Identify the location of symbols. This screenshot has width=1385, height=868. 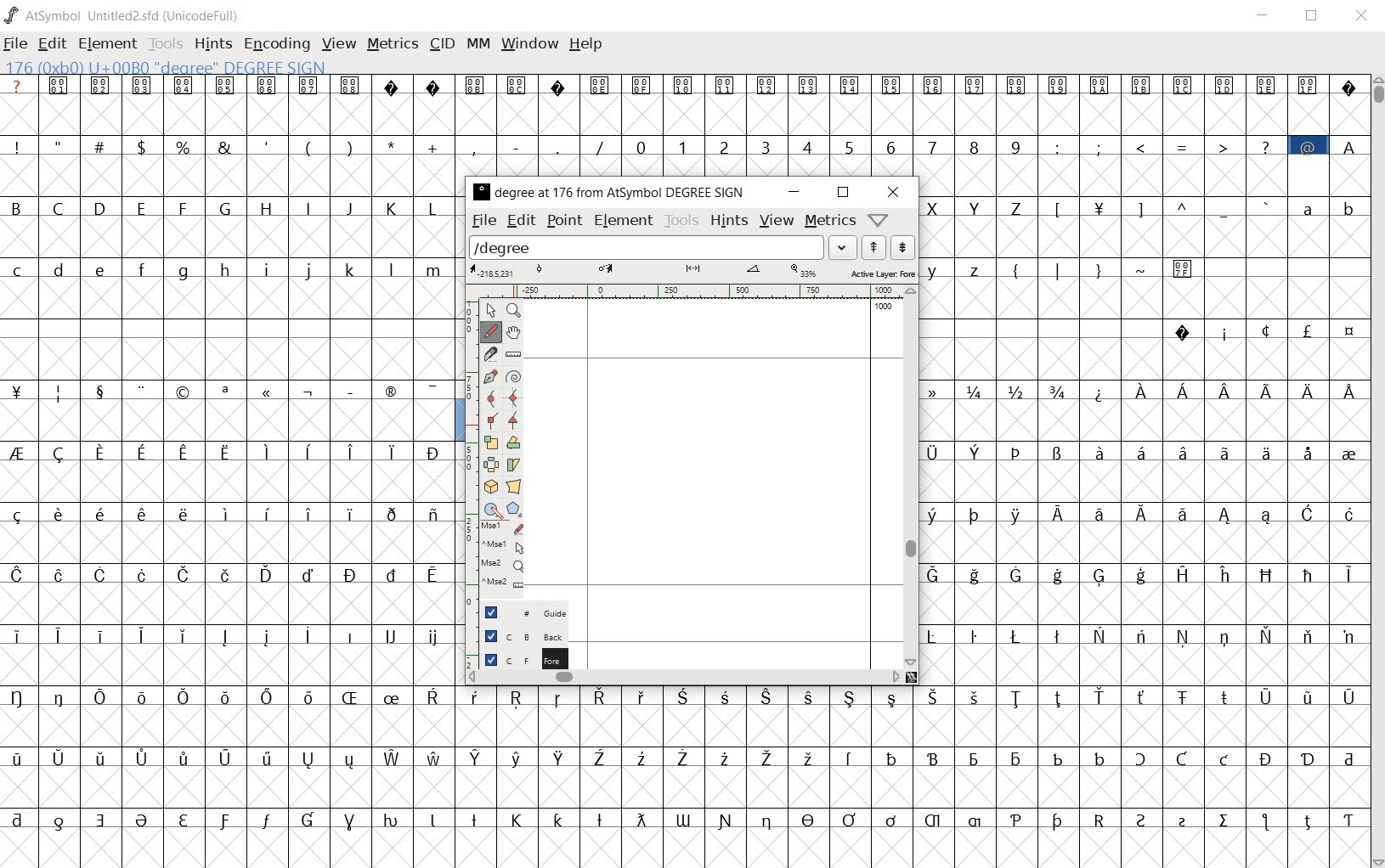
(1104, 268).